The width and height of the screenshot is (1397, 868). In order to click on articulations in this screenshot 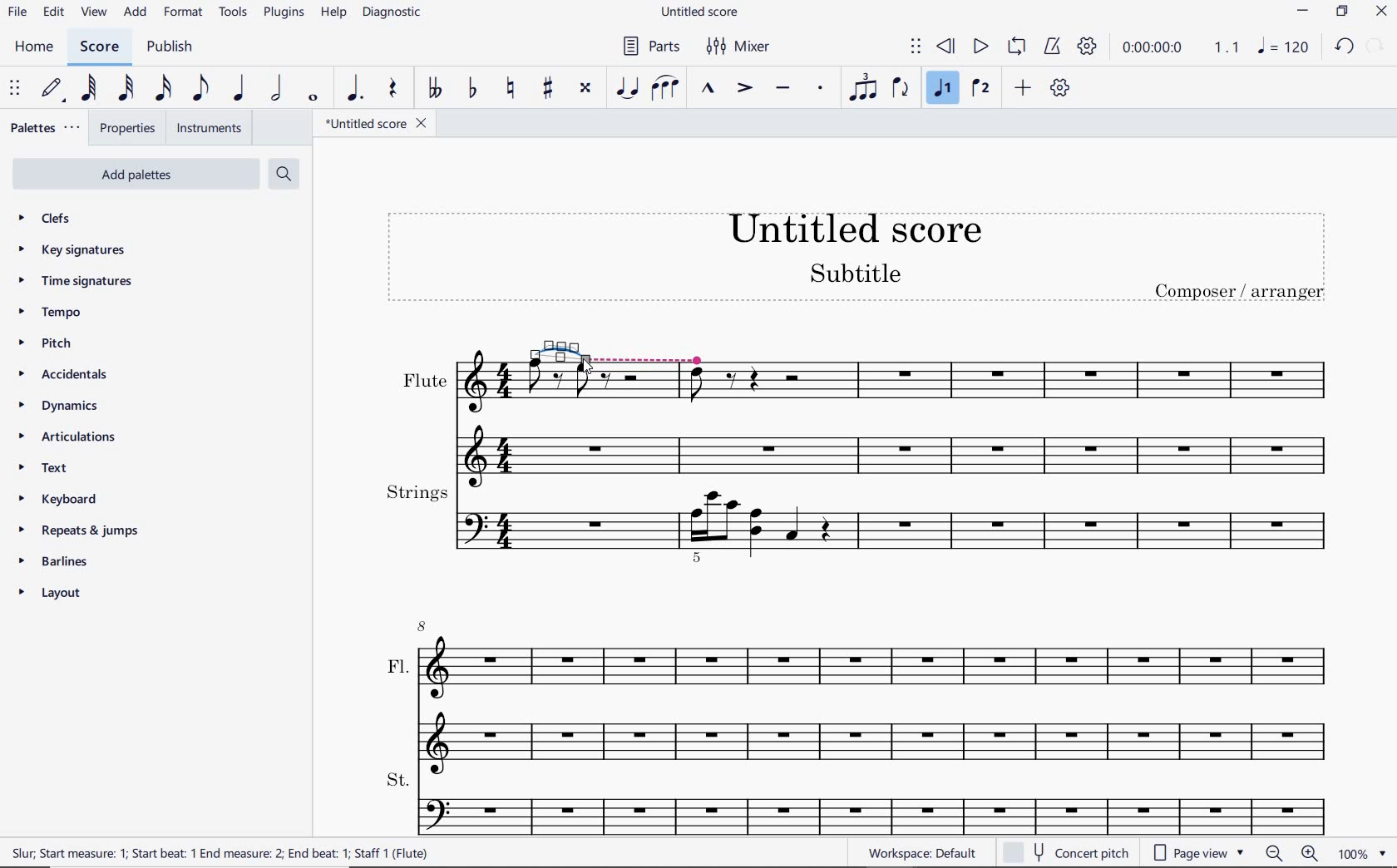, I will do `click(68, 437)`.